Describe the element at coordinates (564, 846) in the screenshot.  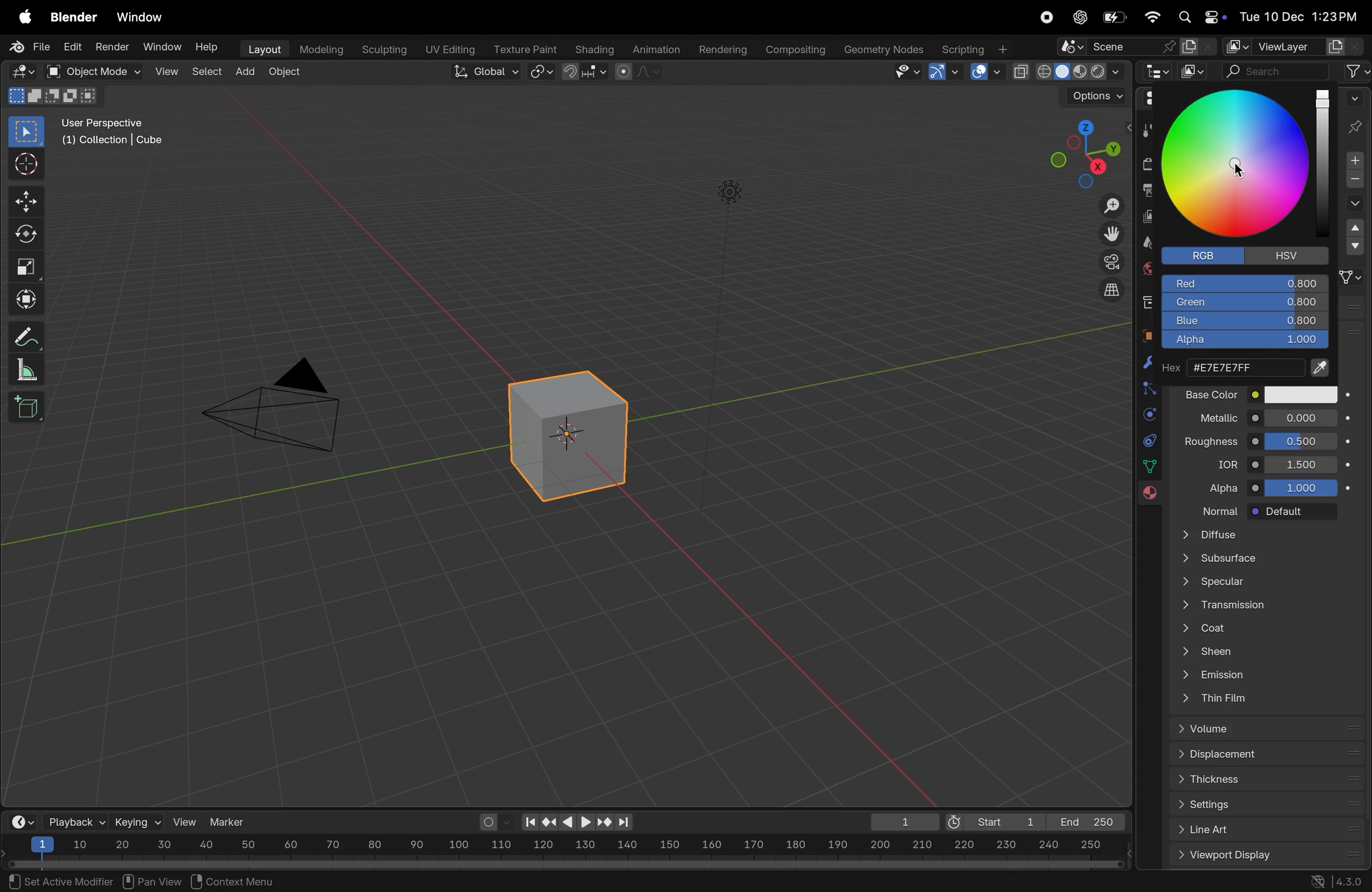
I see `scale` at that location.